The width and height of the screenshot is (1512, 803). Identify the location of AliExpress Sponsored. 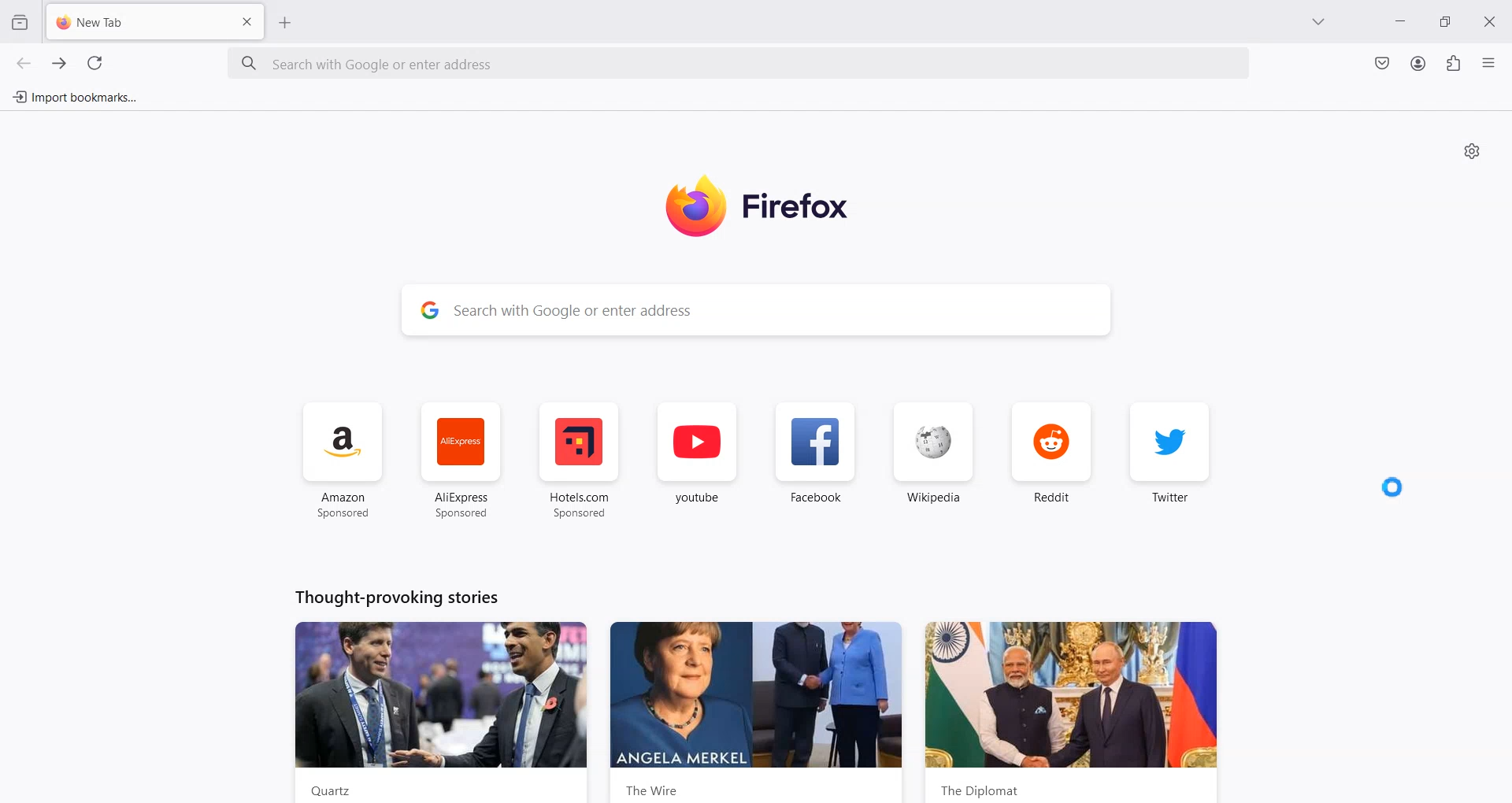
(461, 461).